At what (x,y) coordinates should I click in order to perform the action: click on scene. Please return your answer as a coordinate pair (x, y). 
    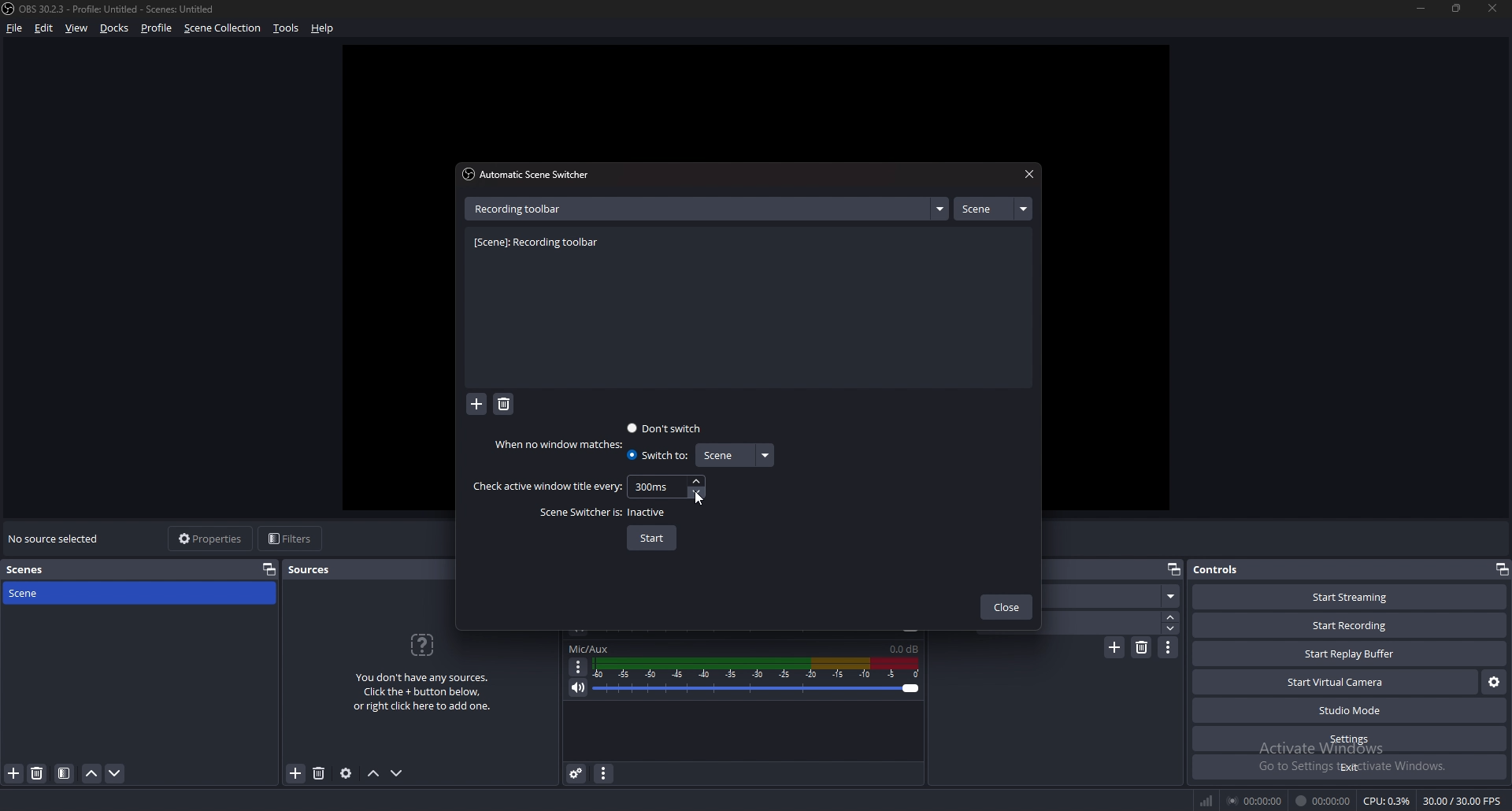
    Looking at the image, I should click on (992, 209).